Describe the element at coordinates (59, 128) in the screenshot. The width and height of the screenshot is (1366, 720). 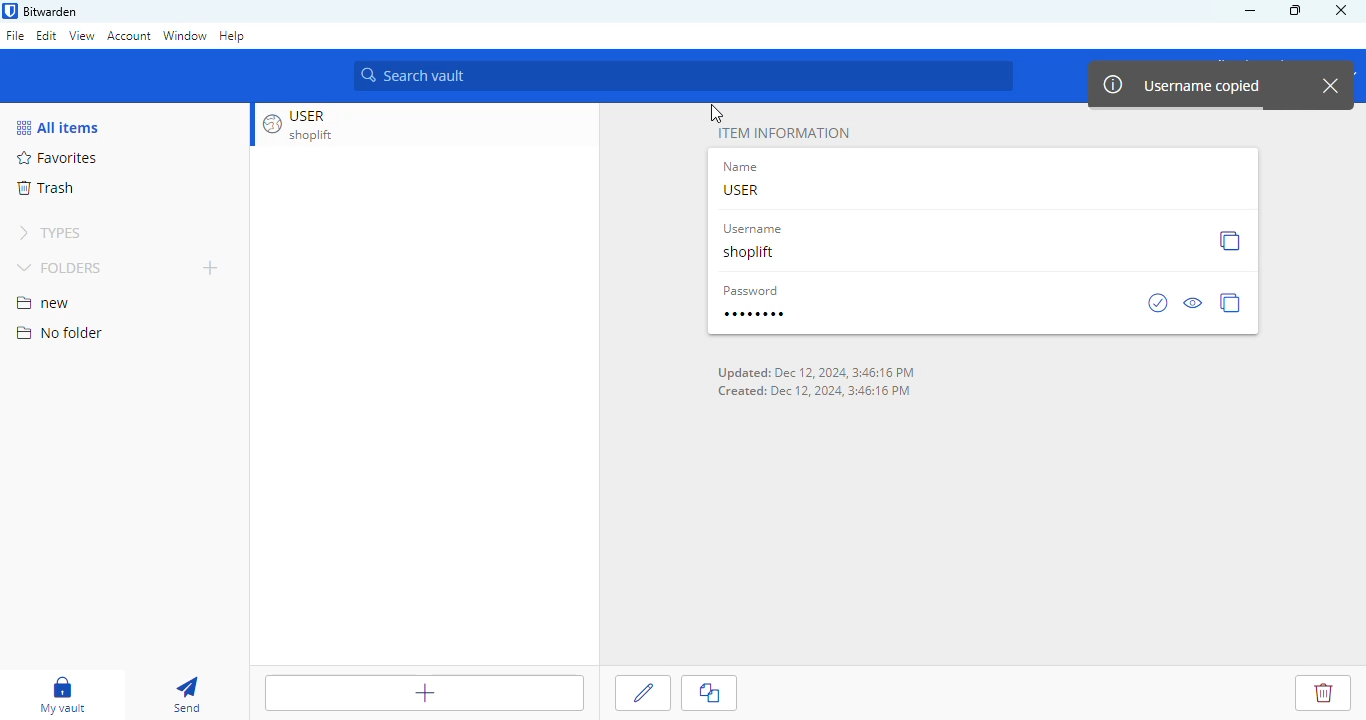
I see `all items` at that location.